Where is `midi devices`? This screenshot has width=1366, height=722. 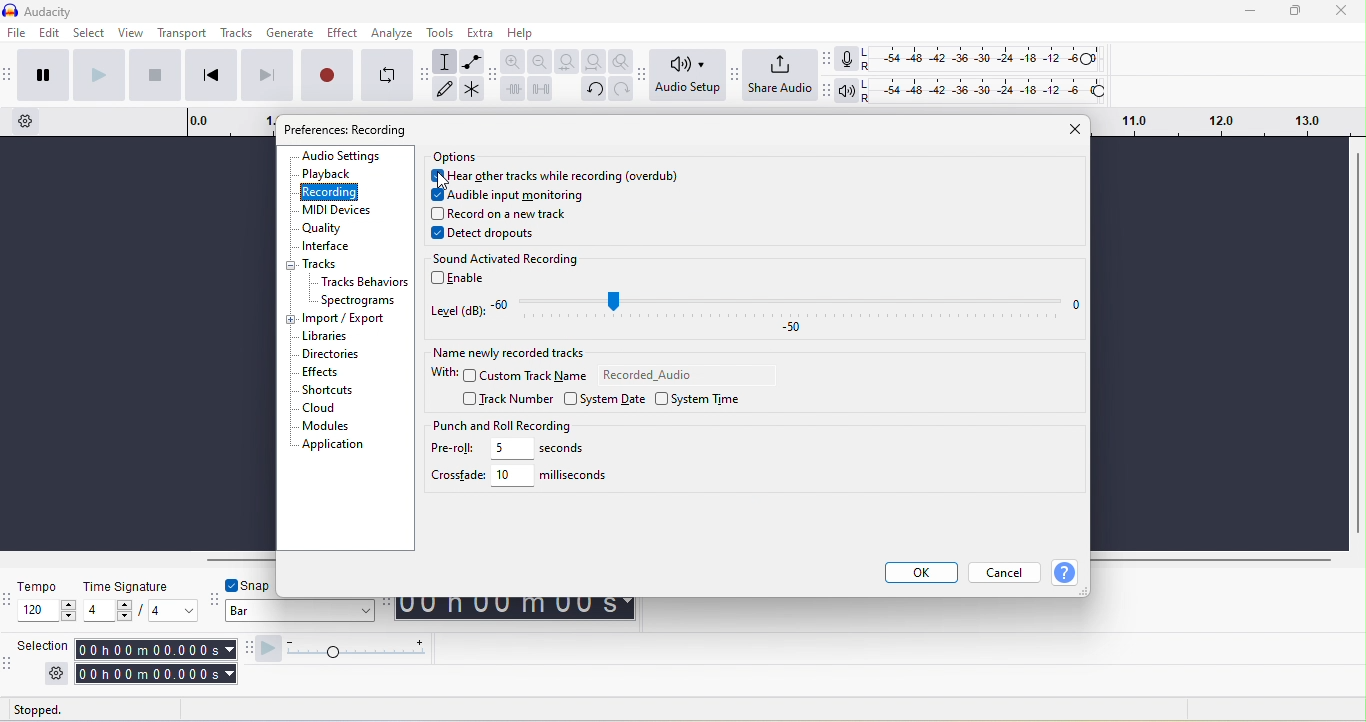 midi devices is located at coordinates (334, 209).